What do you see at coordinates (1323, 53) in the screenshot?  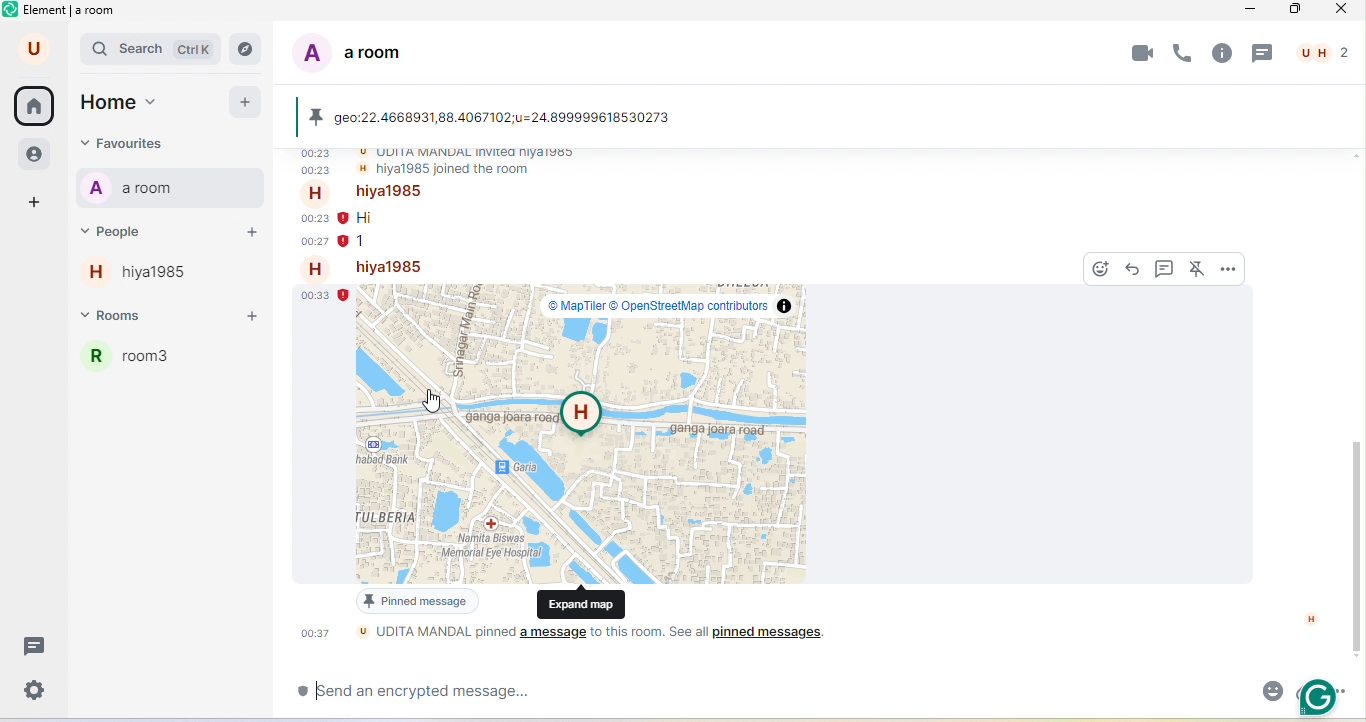 I see `people` at bounding box center [1323, 53].